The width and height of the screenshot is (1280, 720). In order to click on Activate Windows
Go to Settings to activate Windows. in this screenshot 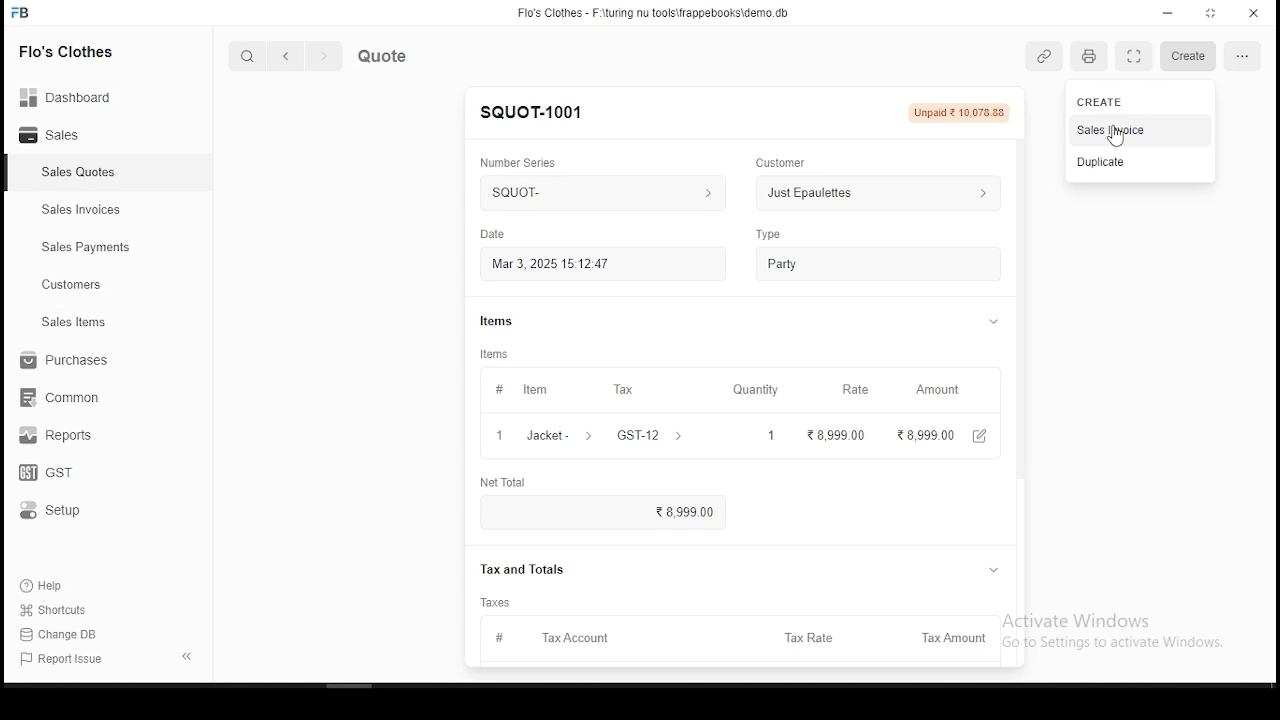, I will do `click(1125, 627)`.